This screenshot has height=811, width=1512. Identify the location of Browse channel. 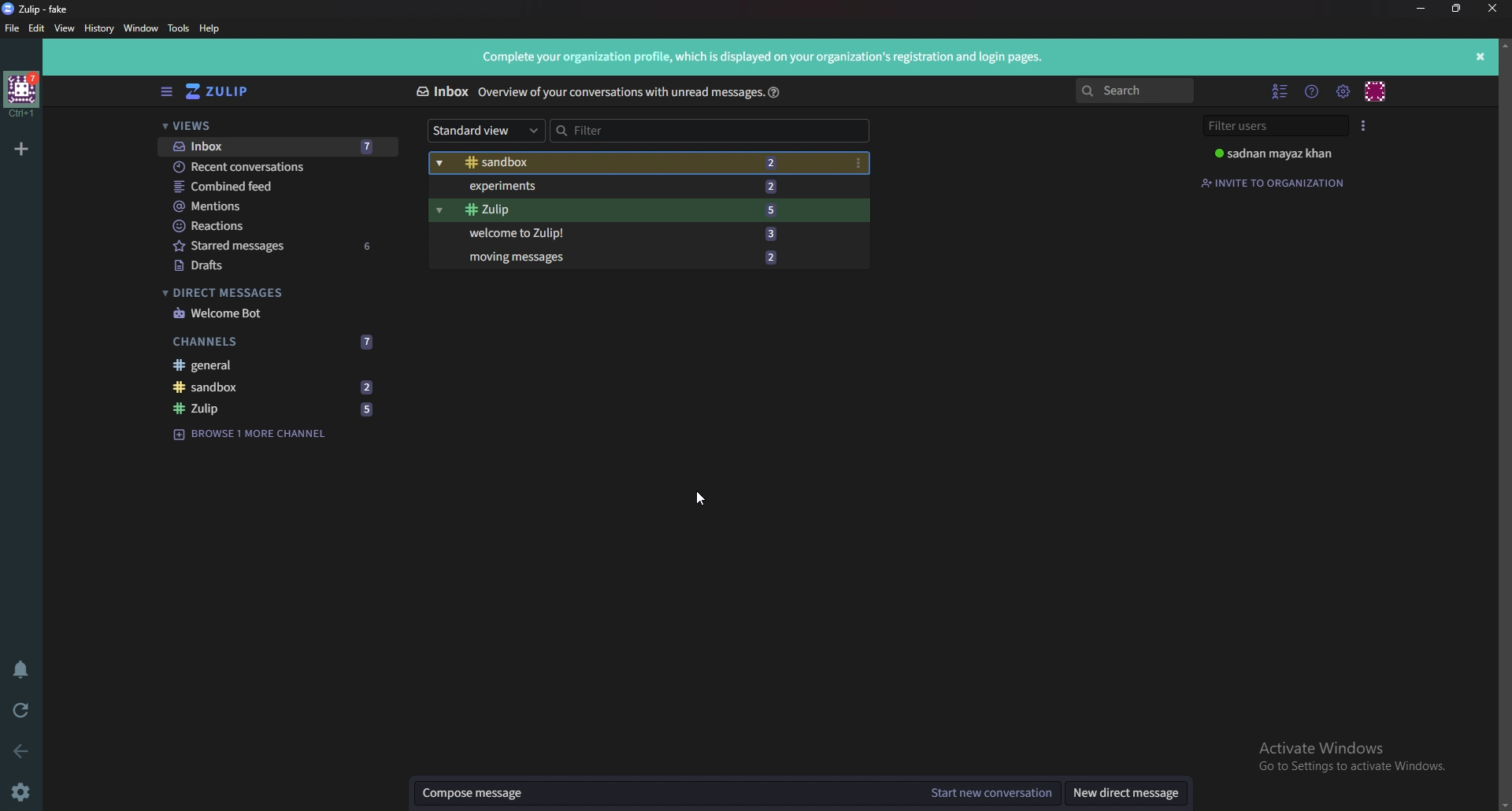
(256, 435).